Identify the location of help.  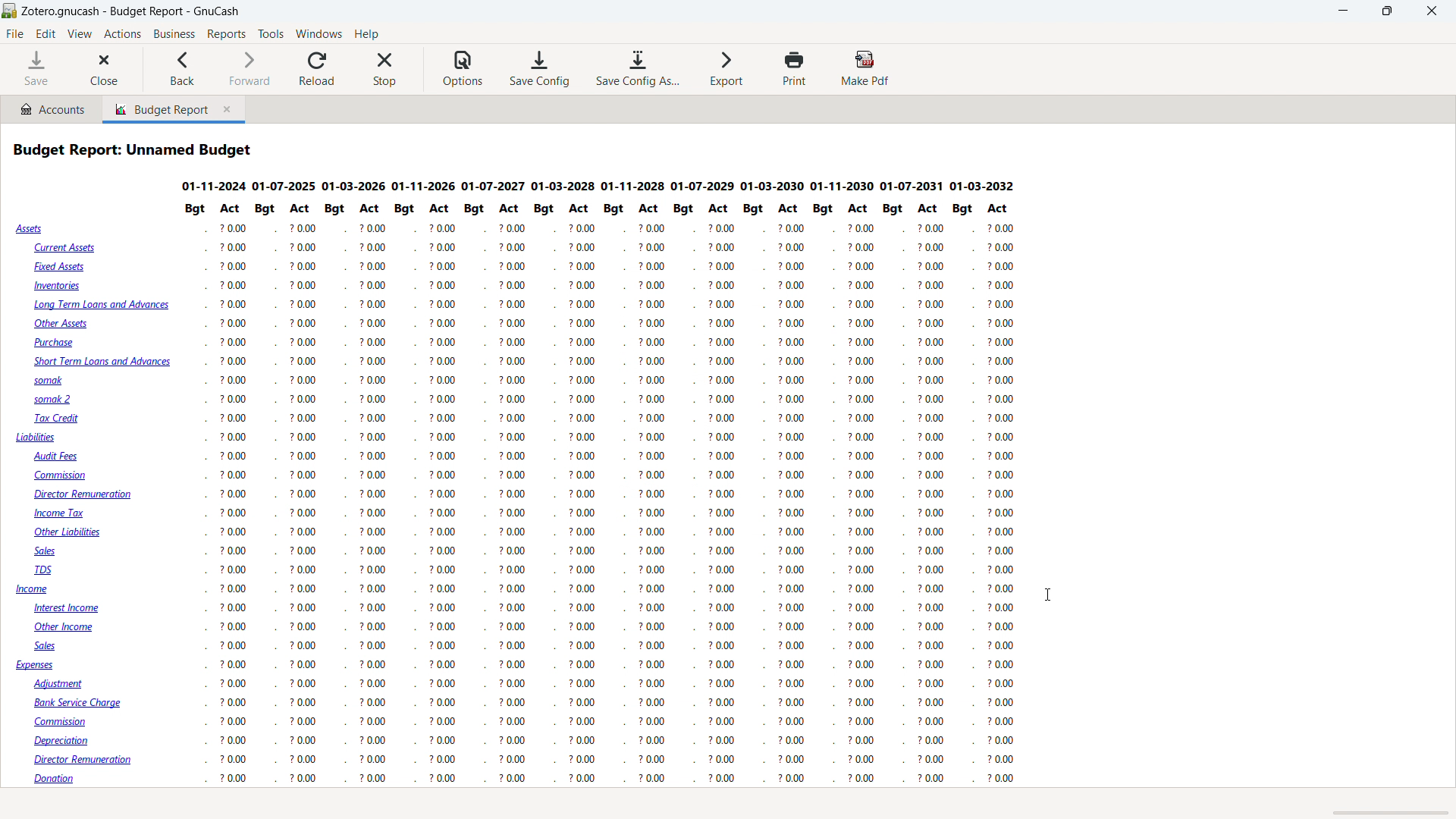
(366, 33).